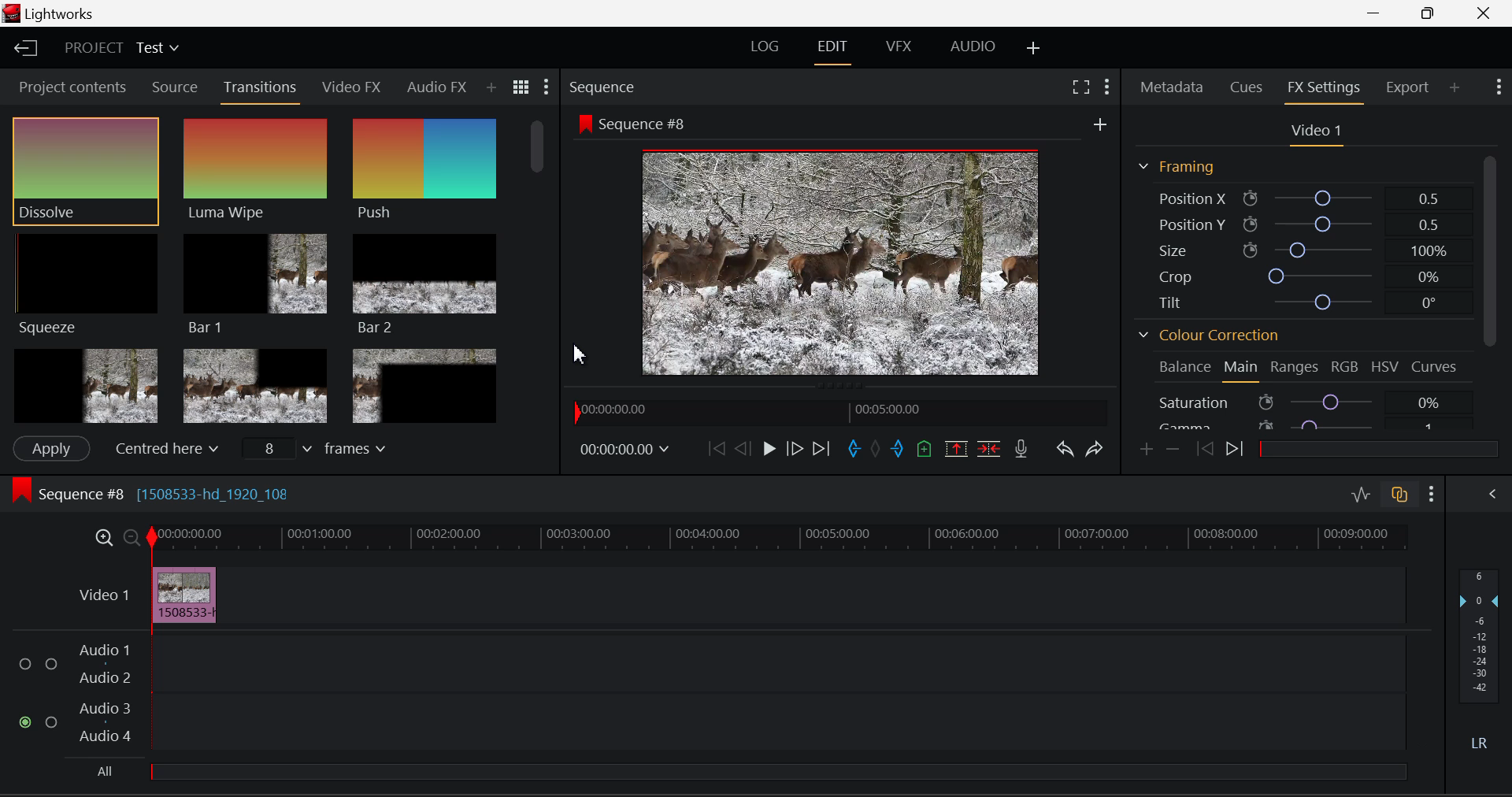 This screenshot has width=1512, height=797. What do you see at coordinates (1388, 367) in the screenshot?
I see `HSV` at bounding box center [1388, 367].